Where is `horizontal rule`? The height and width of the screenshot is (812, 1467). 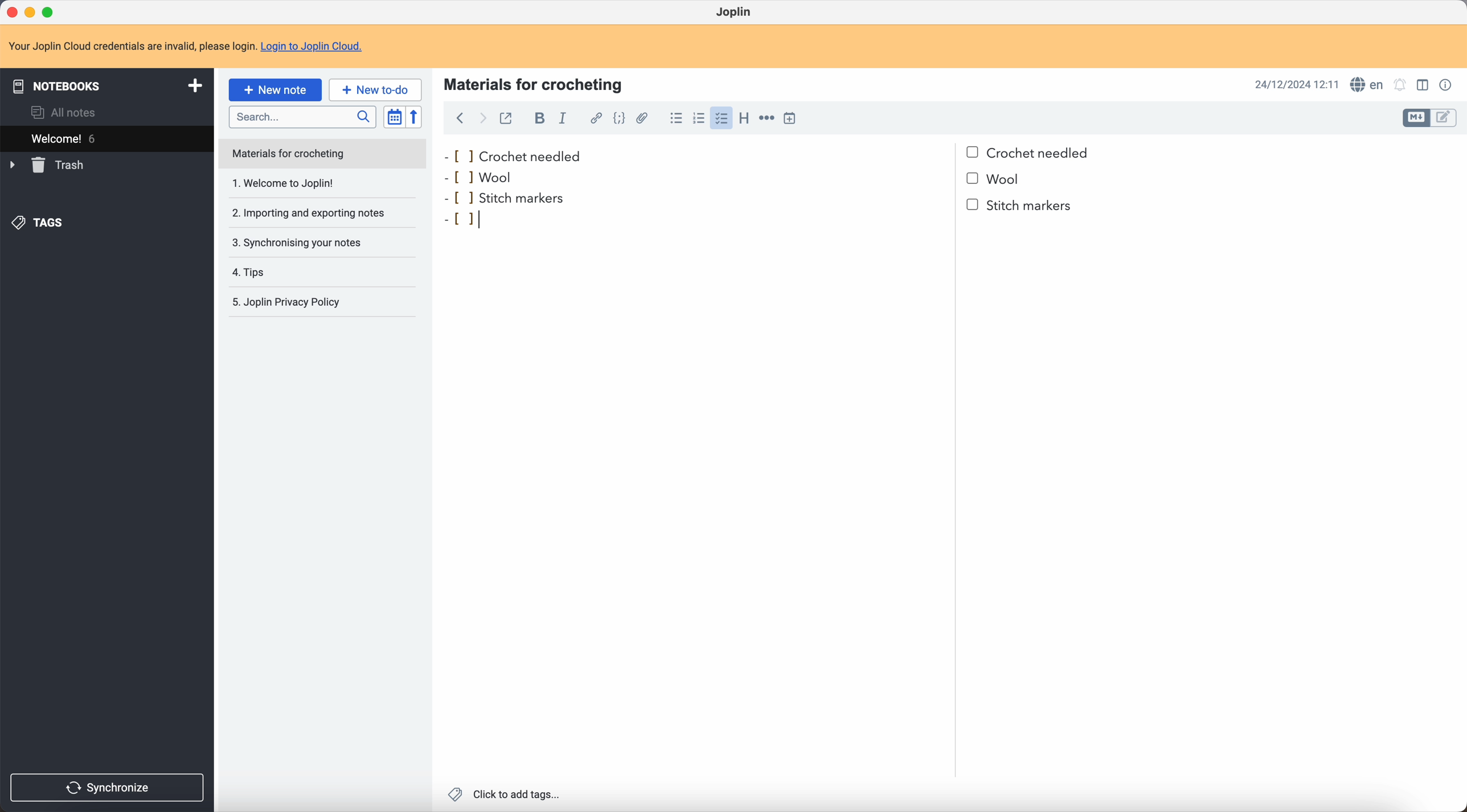
horizontal rule is located at coordinates (766, 120).